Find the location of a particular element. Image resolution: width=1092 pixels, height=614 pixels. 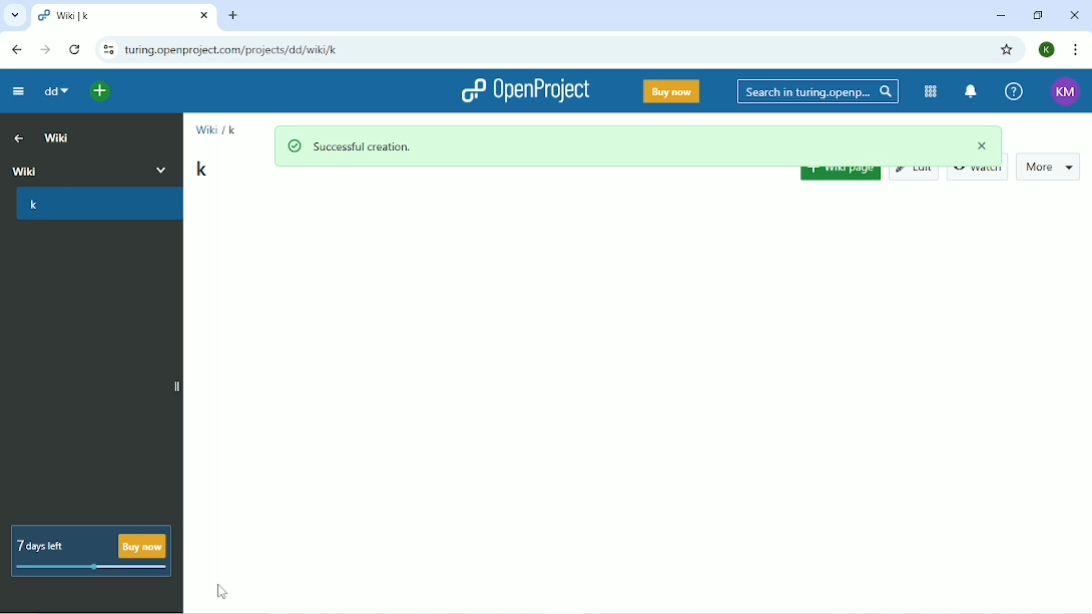

Modules is located at coordinates (929, 92).